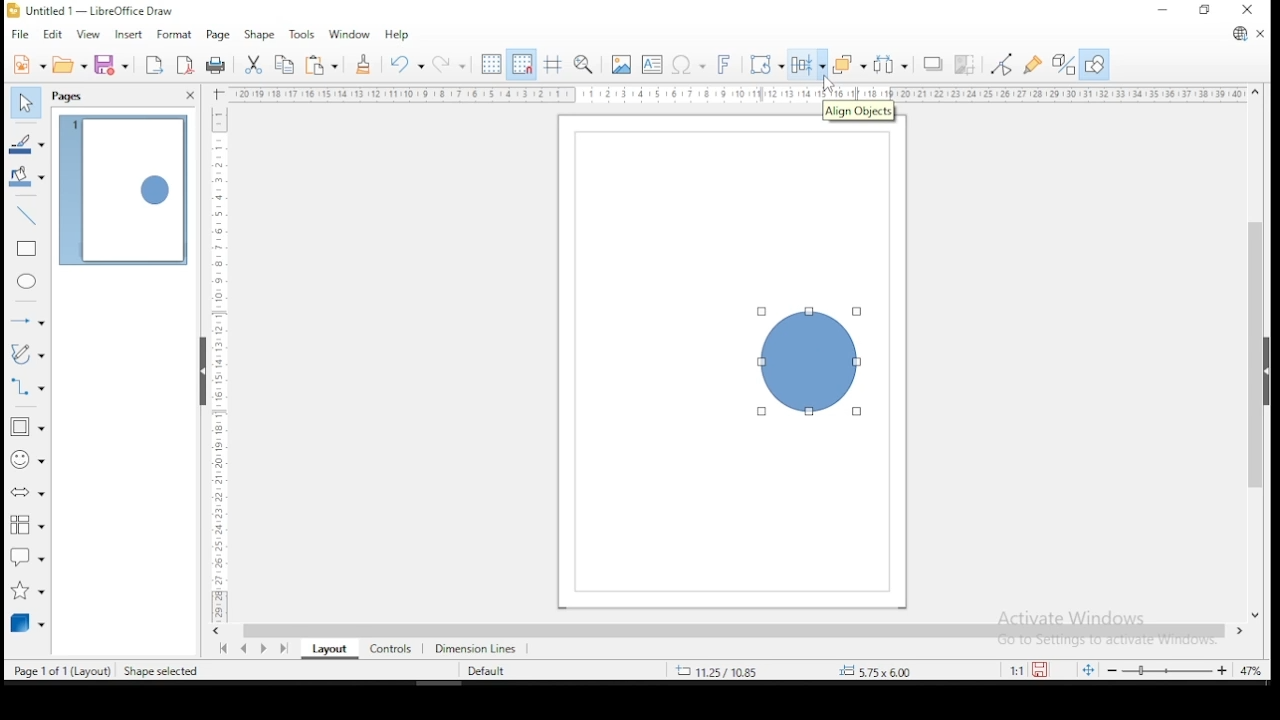 The width and height of the screenshot is (1280, 720). Describe the element at coordinates (1000, 64) in the screenshot. I see `toggle point edit mode` at that location.